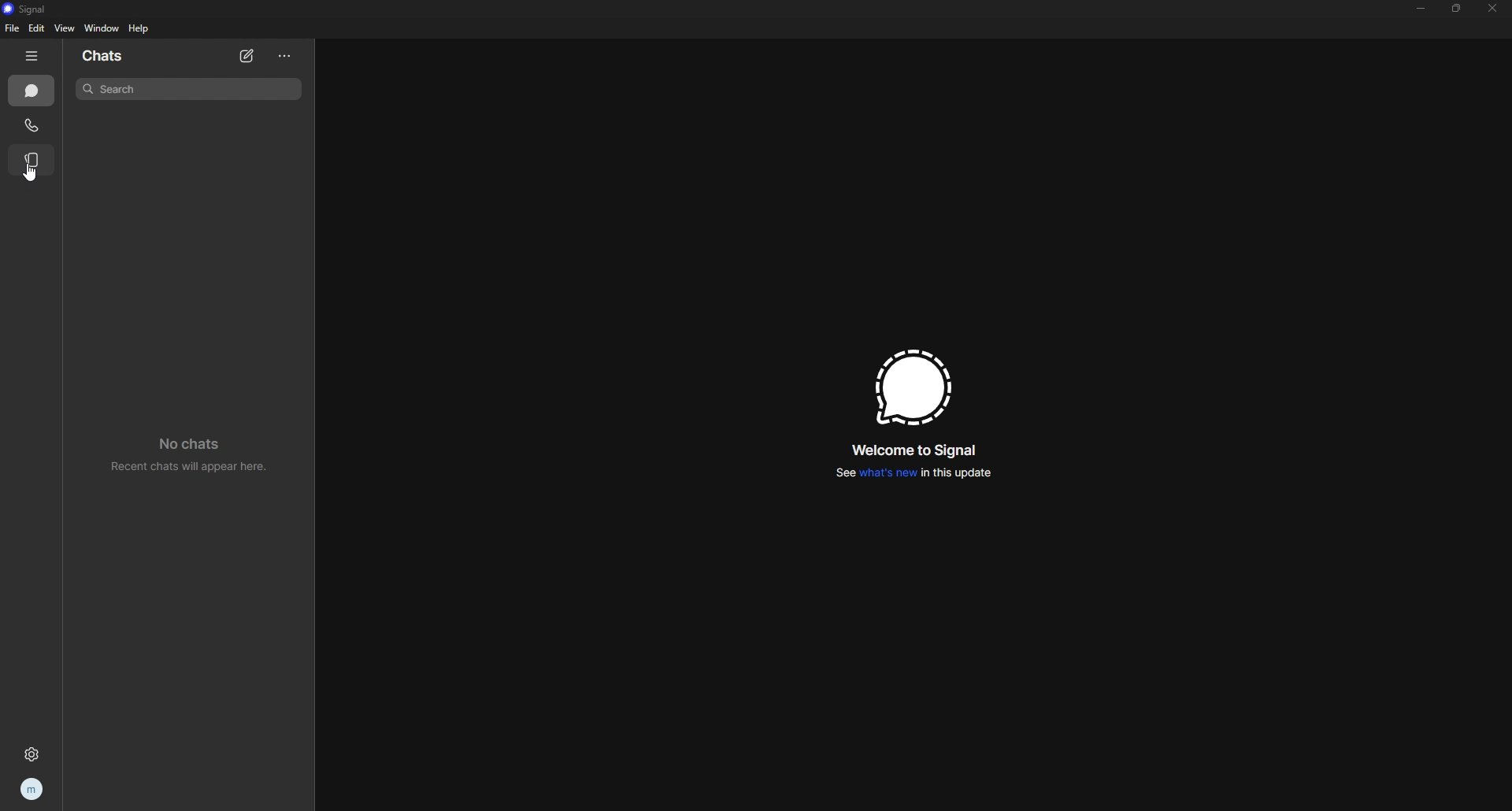 The height and width of the screenshot is (811, 1512). Describe the element at coordinates (1458, 9) in the screenshot. I see `resize` at that location.